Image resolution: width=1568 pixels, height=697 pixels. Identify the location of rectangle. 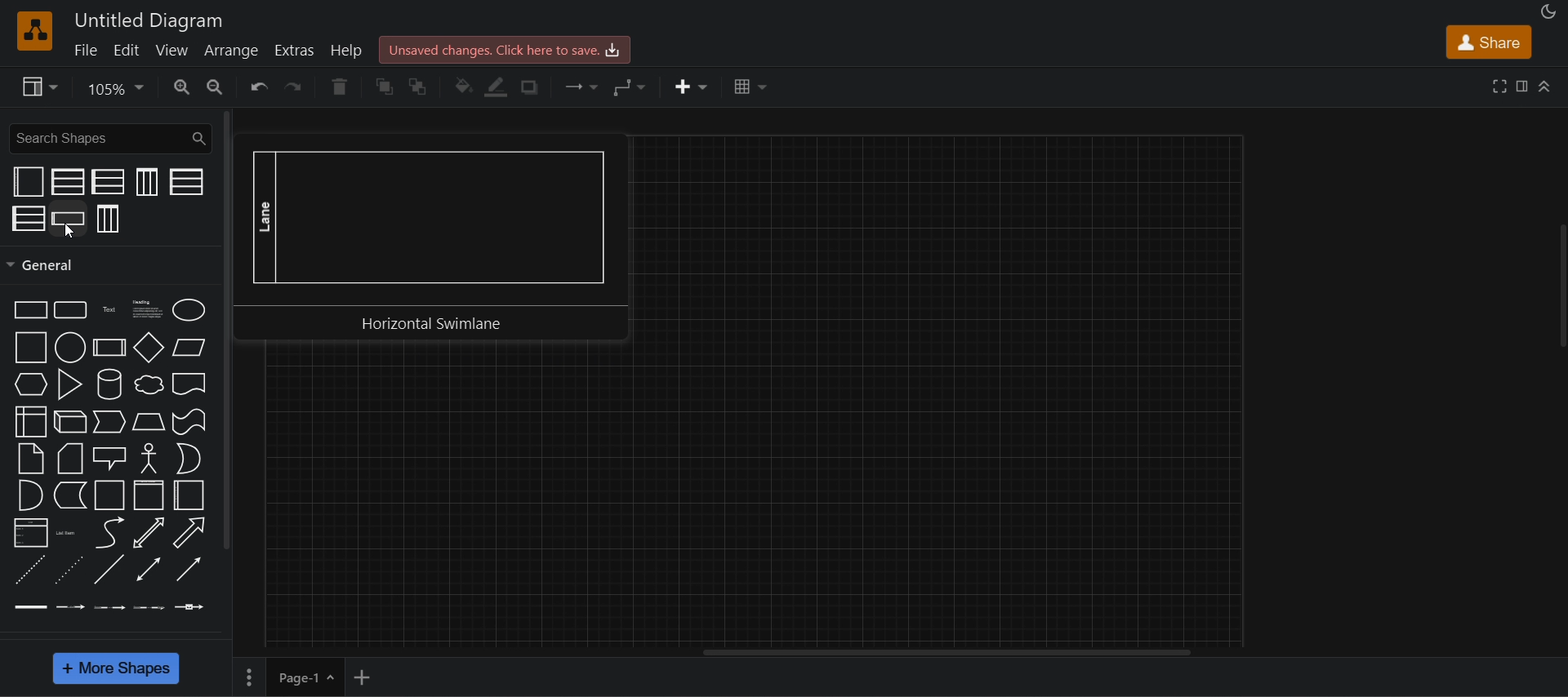
(29, 309).